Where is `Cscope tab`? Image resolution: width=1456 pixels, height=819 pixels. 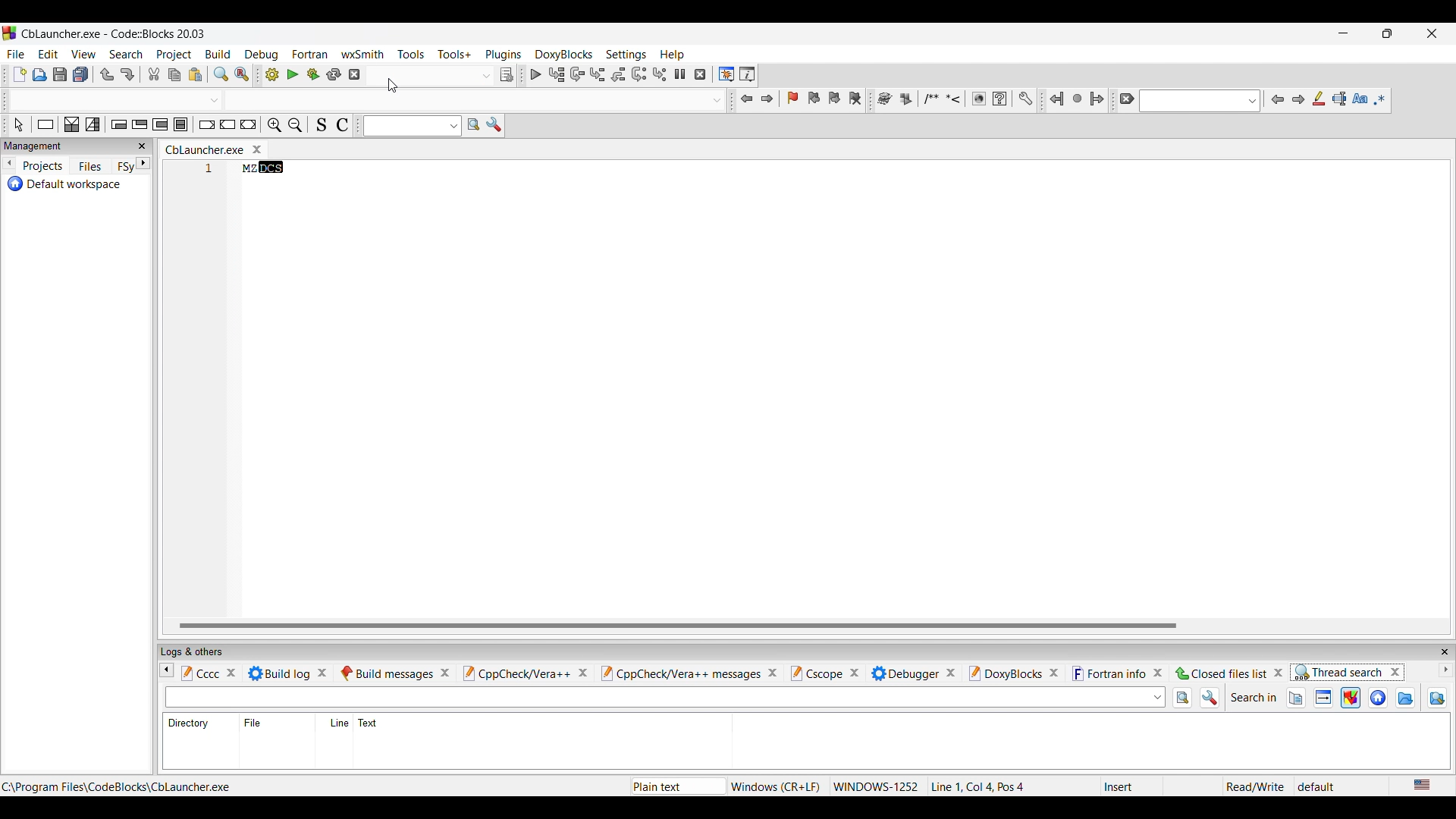
Cscope tab is located at coordinates (817, 673).